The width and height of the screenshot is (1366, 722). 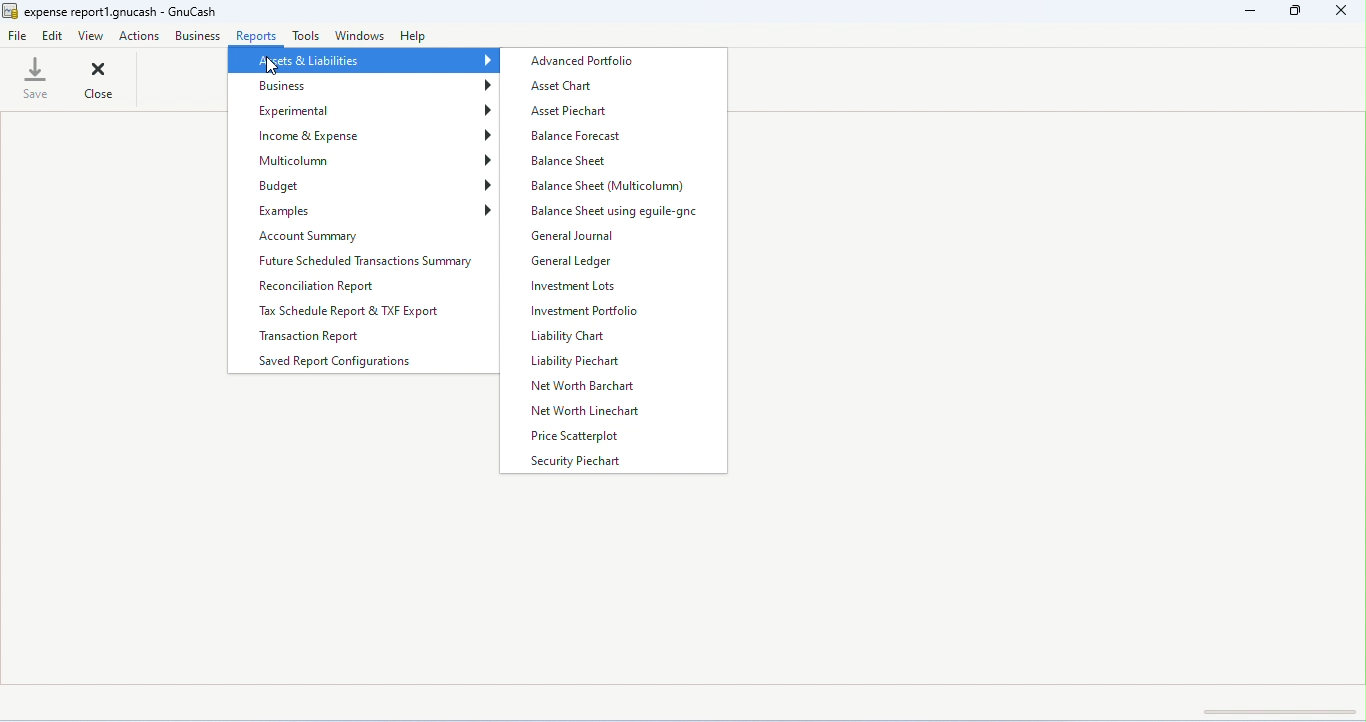 What do you see at coordinates (365, 210) in the screenshot?
I see `examples` at bounding box center [365, 210].